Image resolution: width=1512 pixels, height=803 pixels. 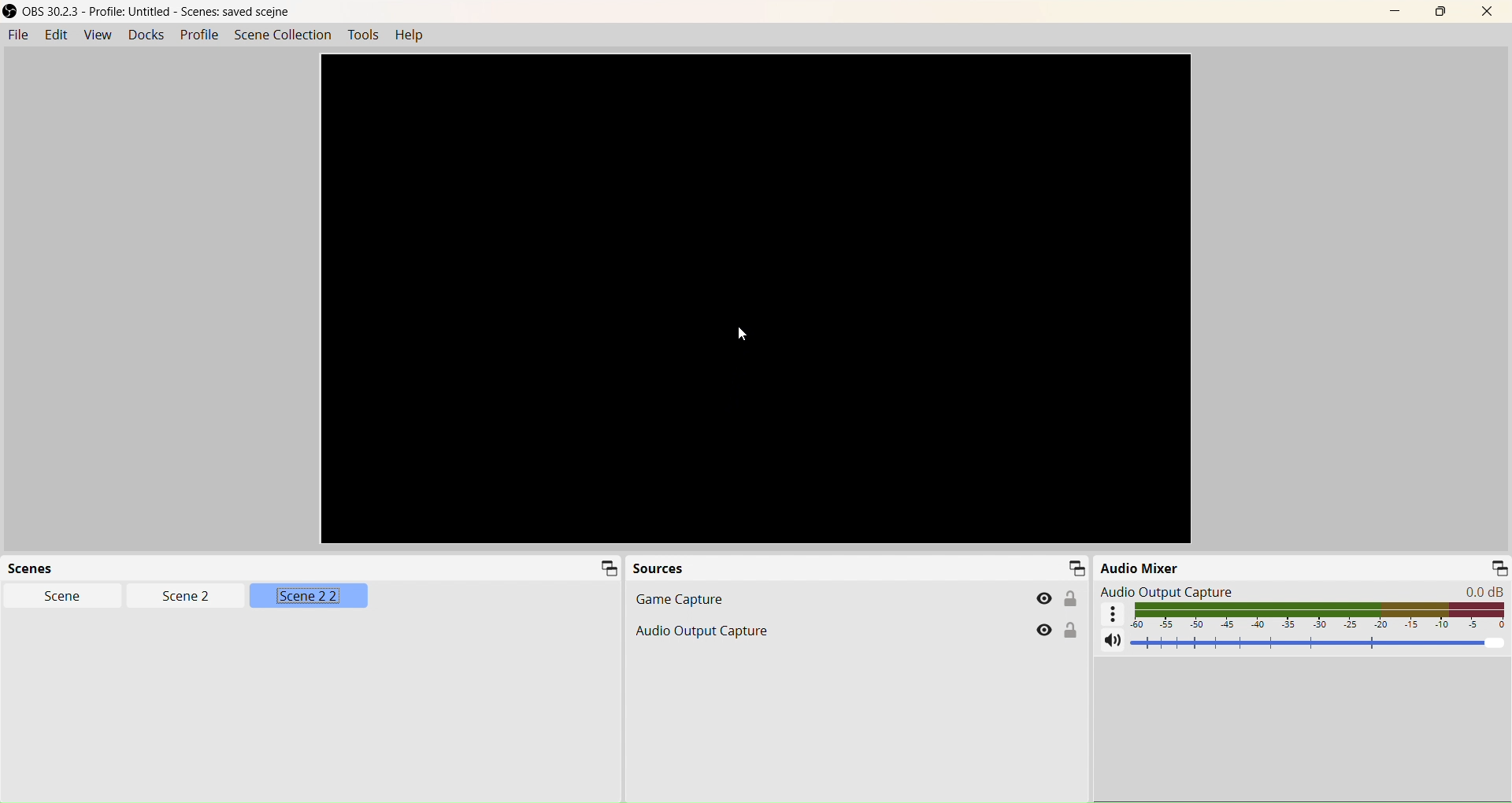 I want to click on Minimize, so click(x=610, y=568).